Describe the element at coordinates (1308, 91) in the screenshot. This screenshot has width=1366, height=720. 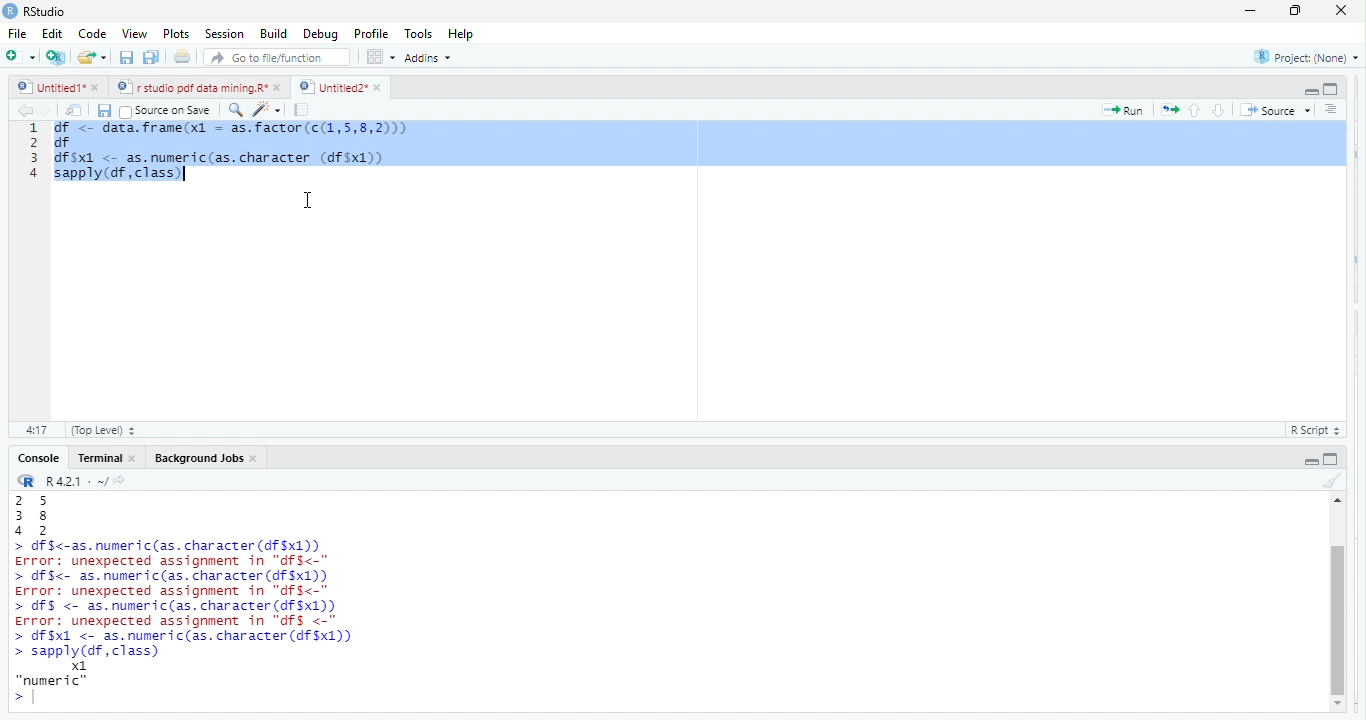
I see `hide r script` at that location.